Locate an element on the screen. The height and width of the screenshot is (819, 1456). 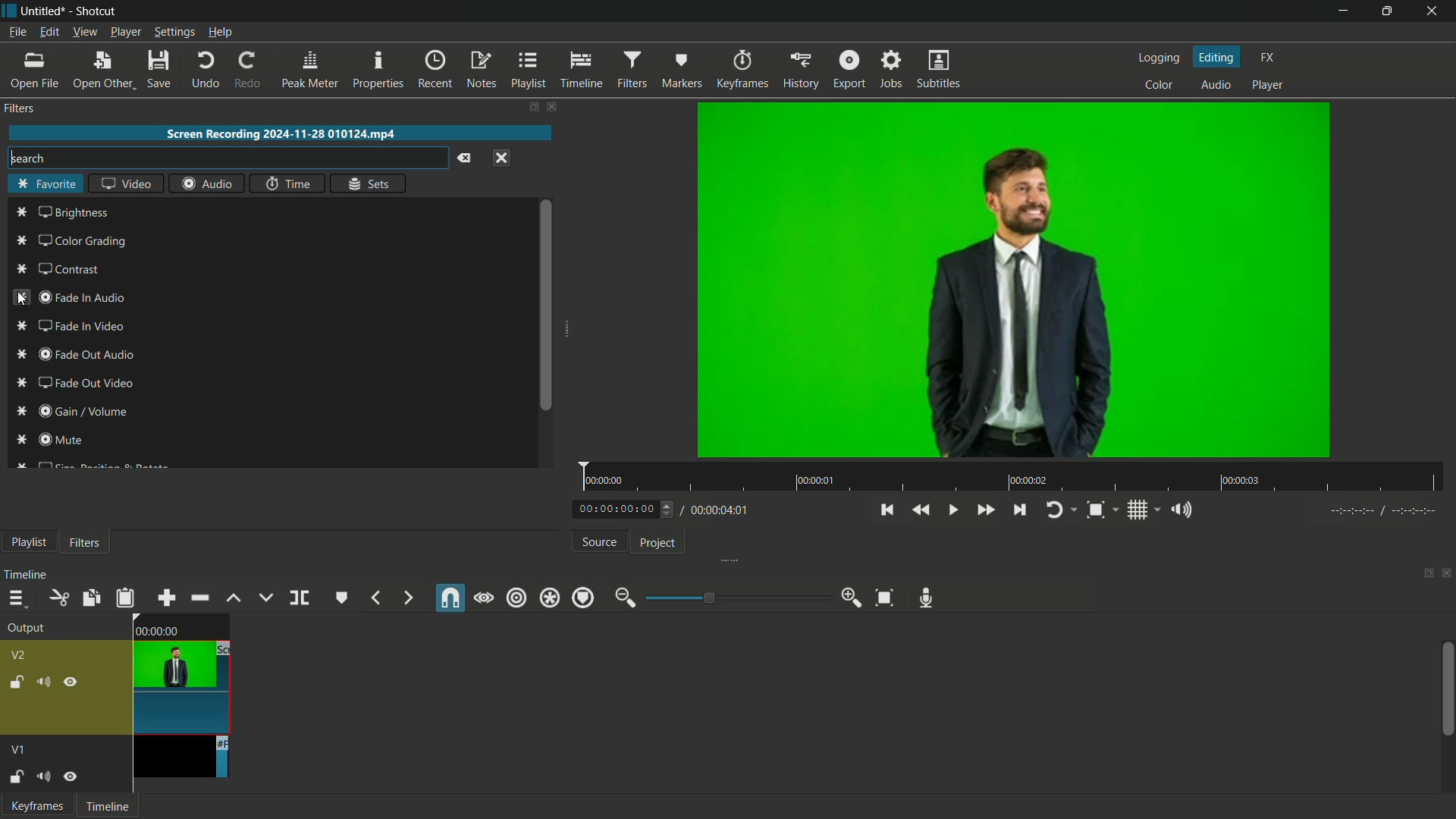
view menu is located at coordinates (84, 33).